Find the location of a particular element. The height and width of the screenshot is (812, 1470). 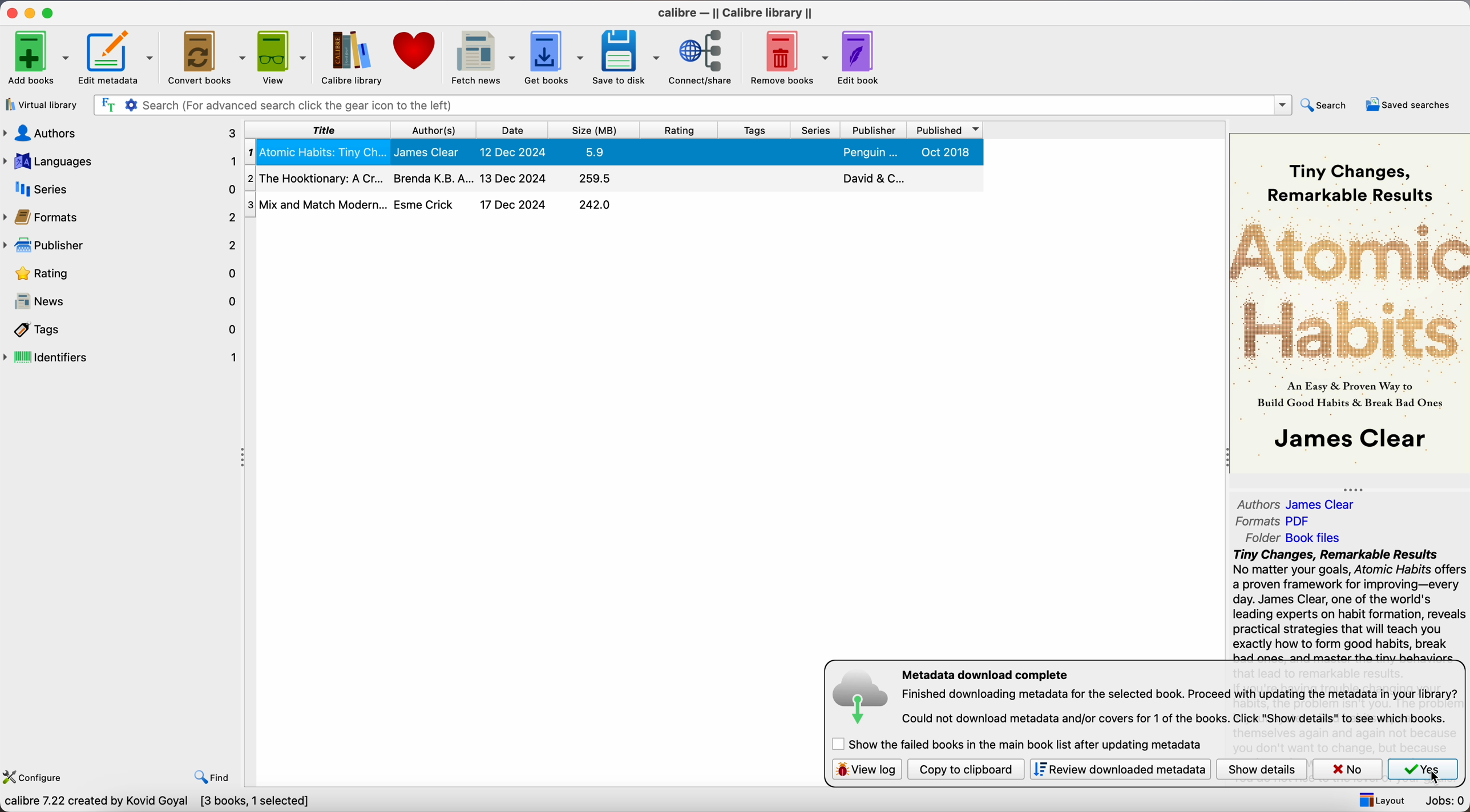

icon is located at coordinates (862, 700).